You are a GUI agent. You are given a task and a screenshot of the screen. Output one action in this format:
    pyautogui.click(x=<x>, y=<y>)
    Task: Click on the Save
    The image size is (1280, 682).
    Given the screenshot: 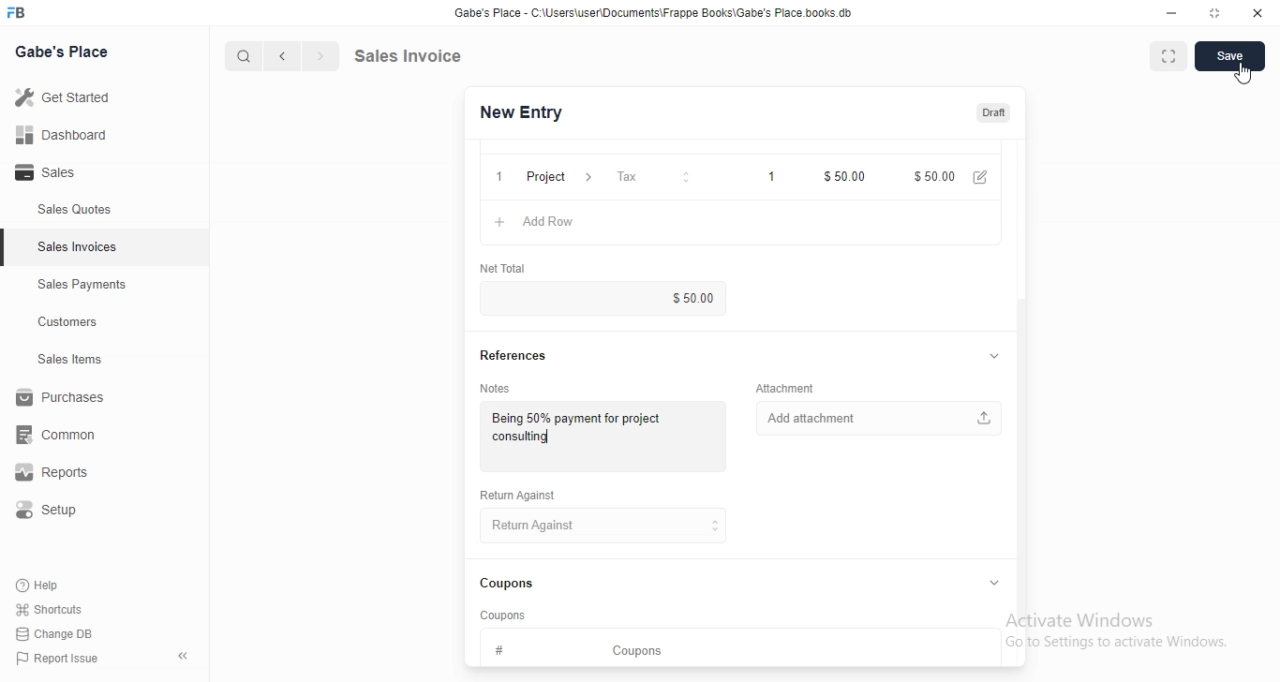 What is the action you would take?
    pyautogui.click(x=1230, y=57)
    